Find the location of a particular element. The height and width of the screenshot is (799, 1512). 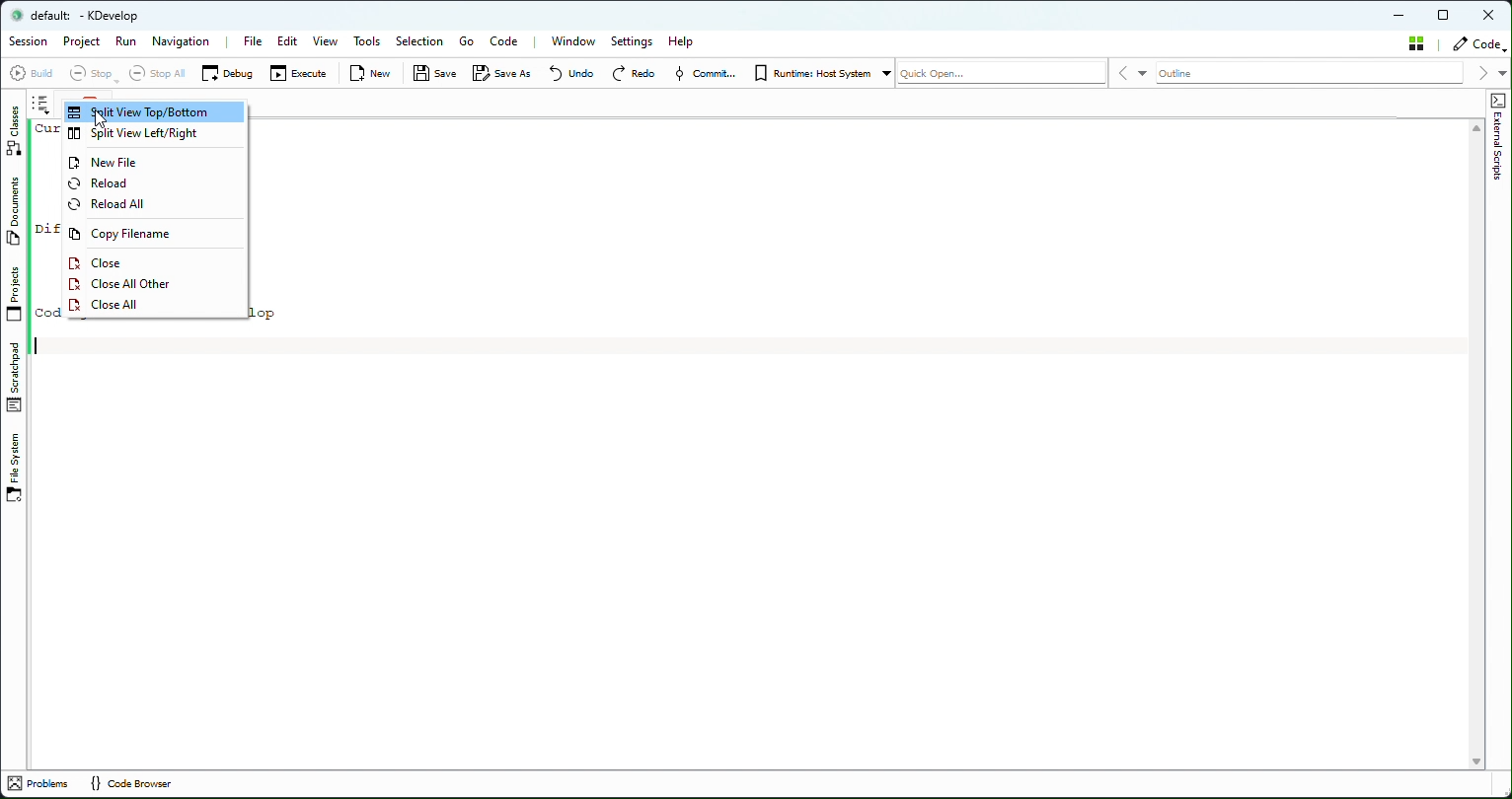

Help is located at coordinates (686, 40).